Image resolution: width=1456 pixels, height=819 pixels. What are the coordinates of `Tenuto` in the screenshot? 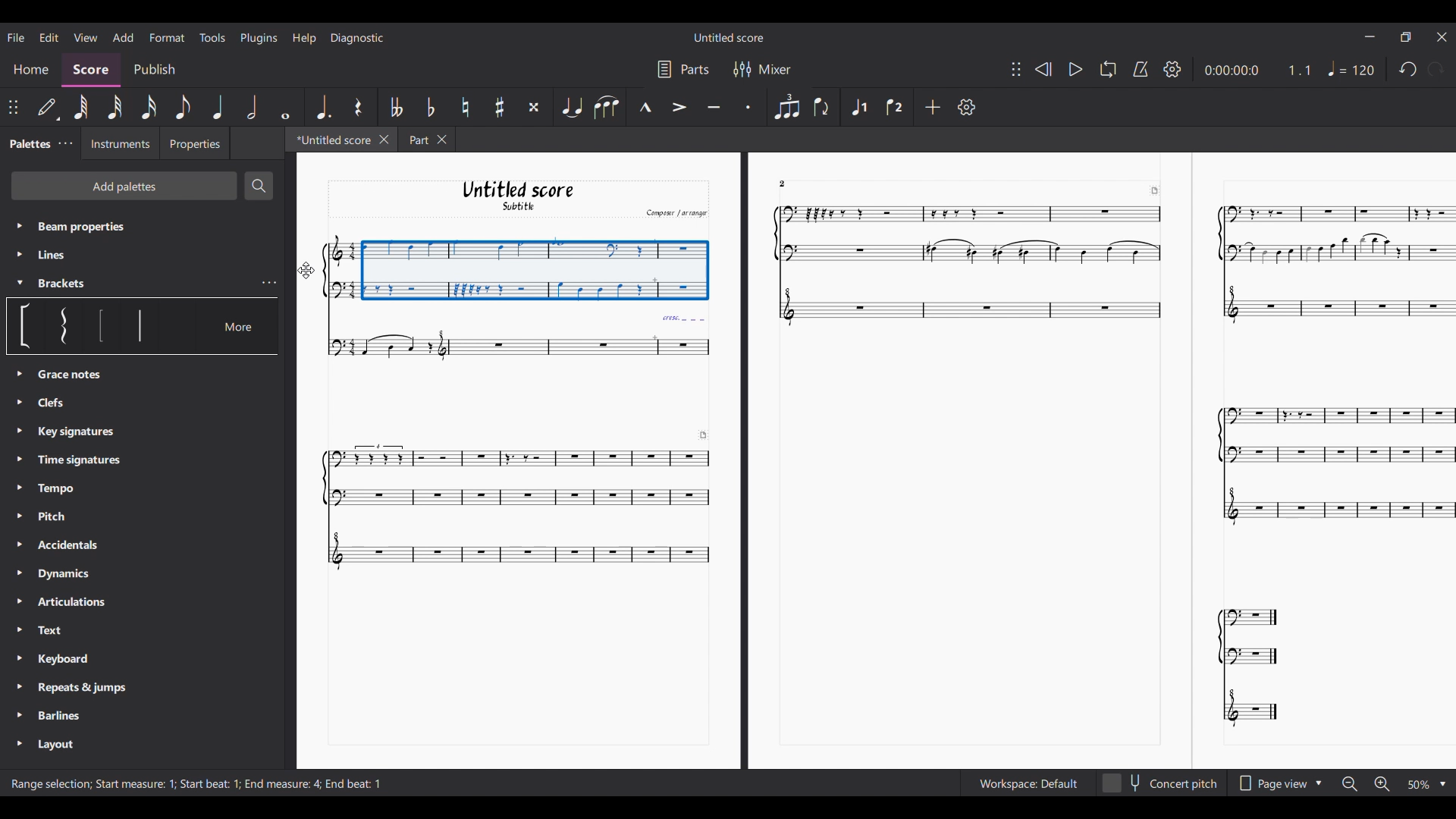 It's located at (713, 105).